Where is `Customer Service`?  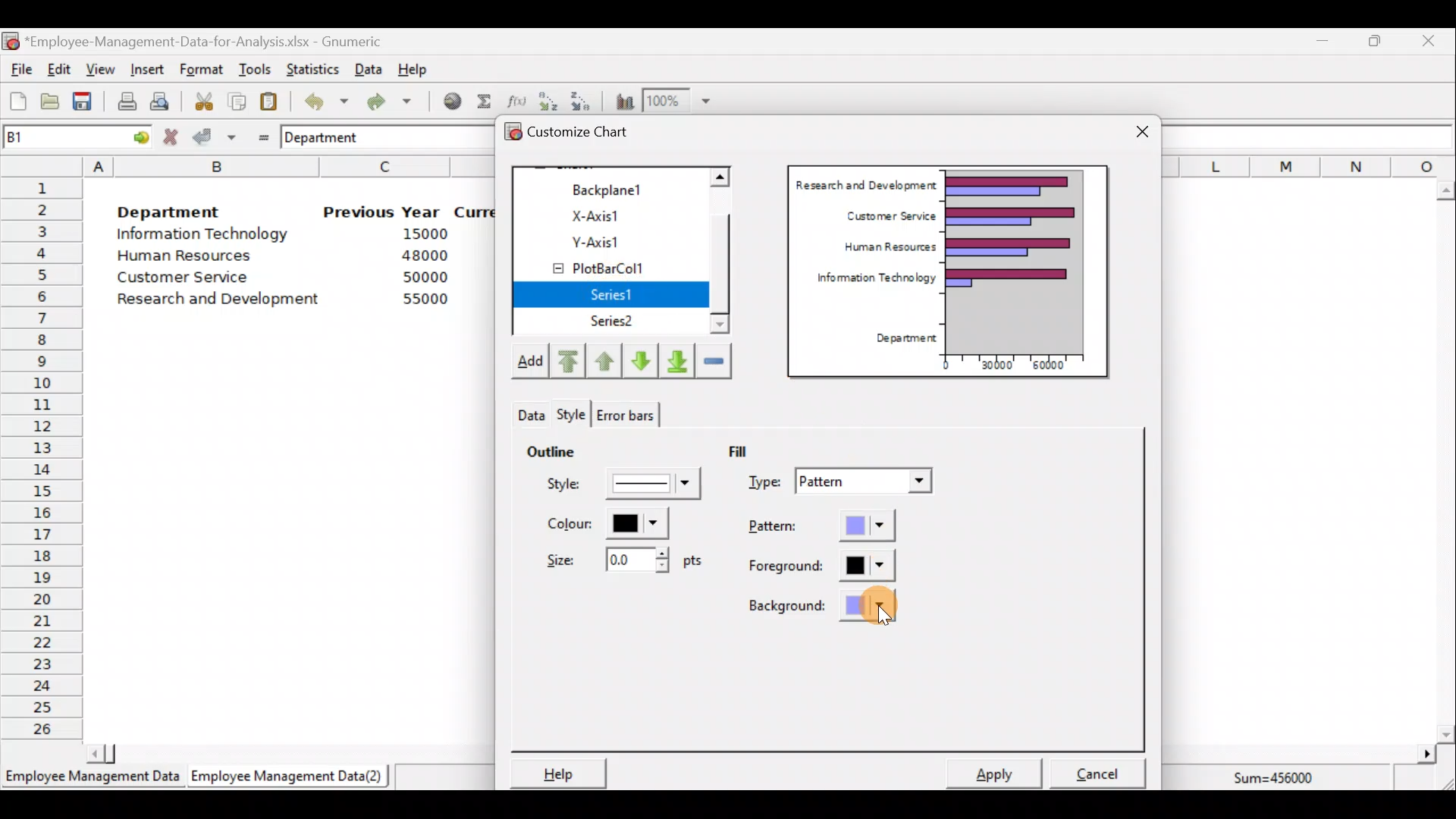 Customer Service is located at coordinates (887, 214).